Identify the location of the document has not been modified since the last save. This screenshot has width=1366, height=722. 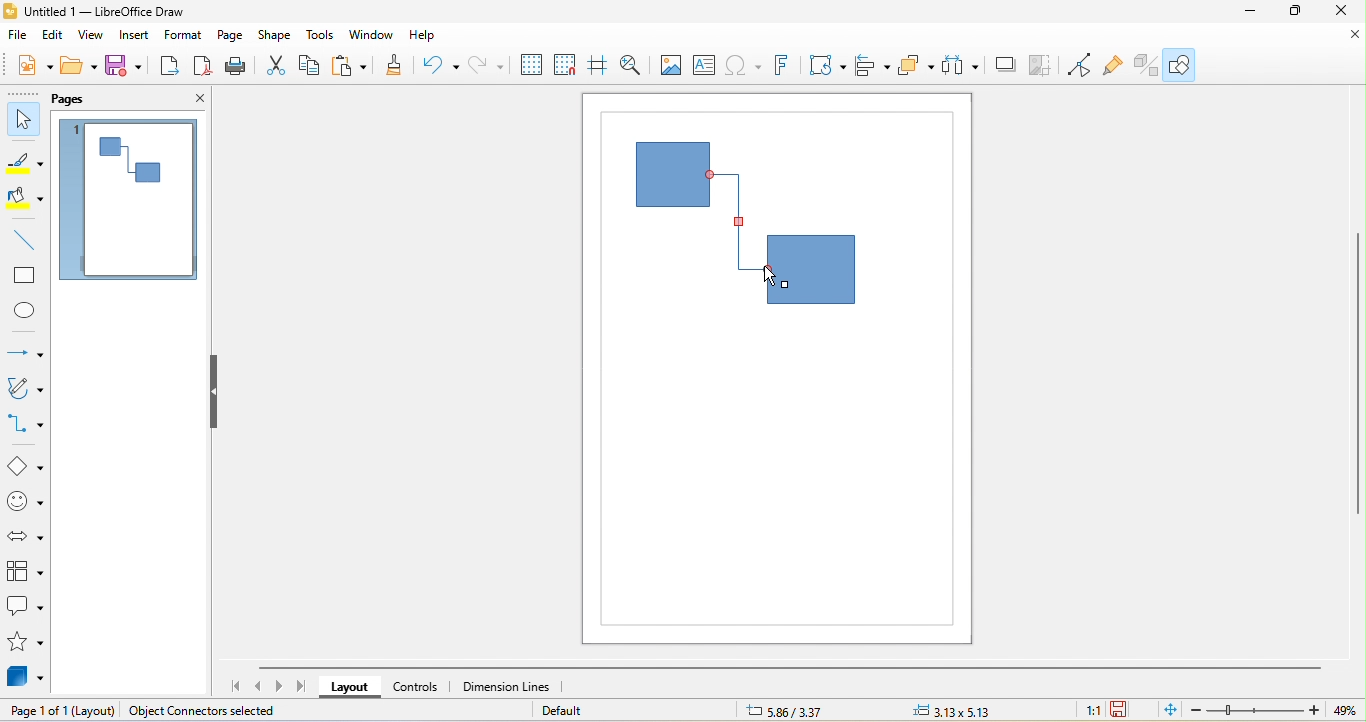
(1128, 710).